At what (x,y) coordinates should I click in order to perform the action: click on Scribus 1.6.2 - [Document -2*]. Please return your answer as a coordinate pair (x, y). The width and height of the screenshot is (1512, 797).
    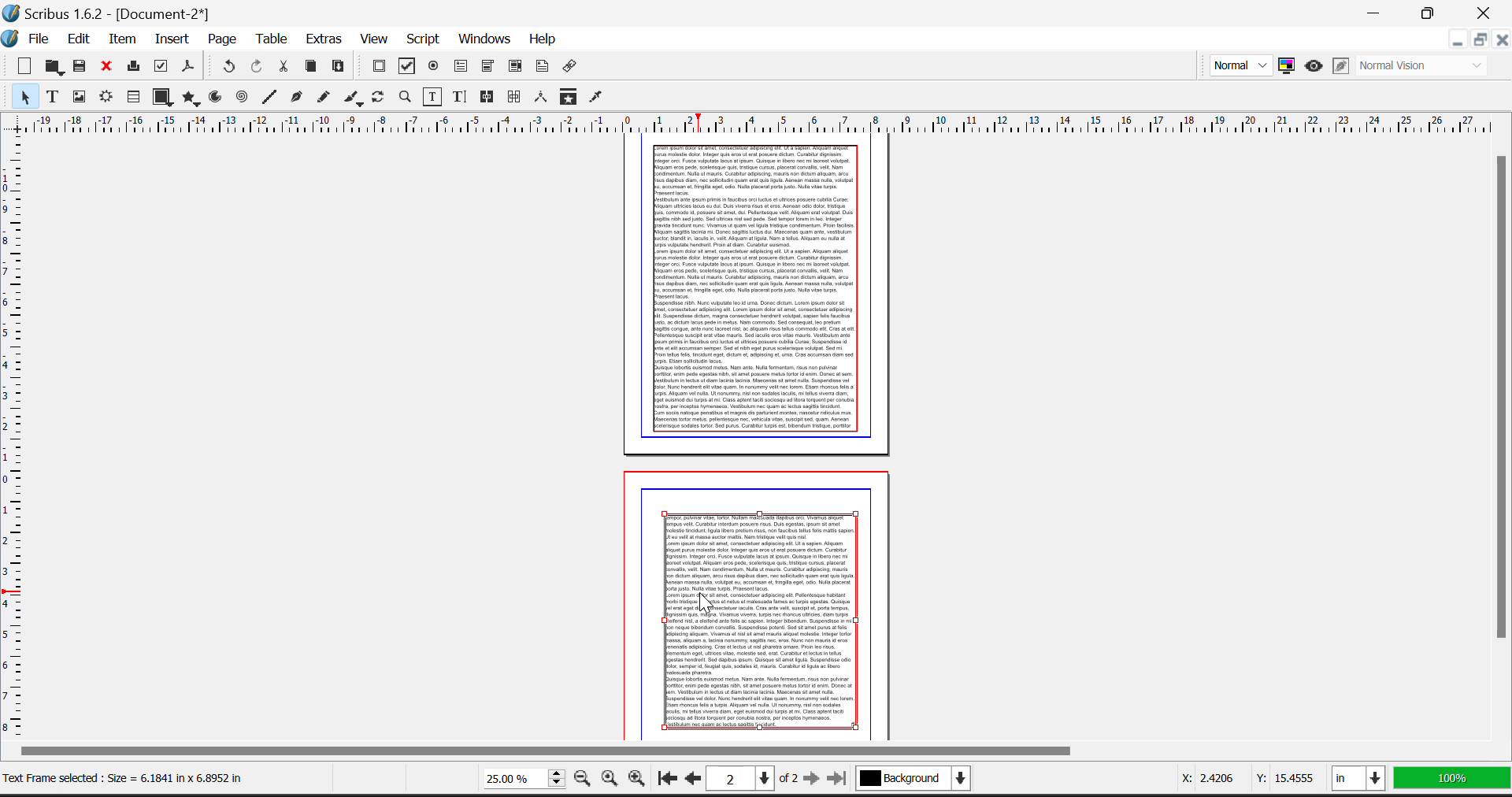
    Looking at the image, I should click on (109, 12).